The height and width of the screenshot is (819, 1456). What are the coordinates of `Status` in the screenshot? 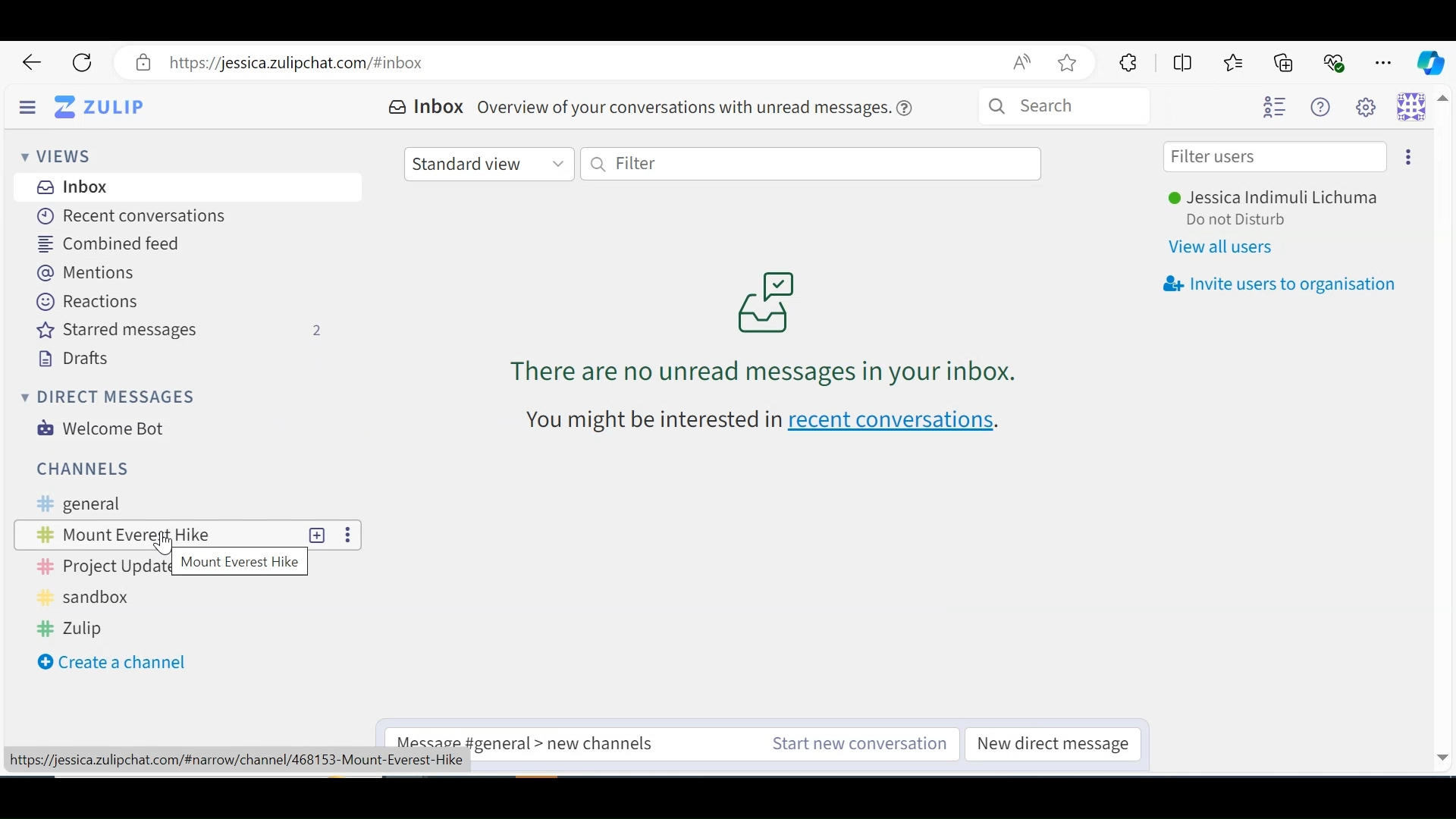 It's located at (1250, 221).